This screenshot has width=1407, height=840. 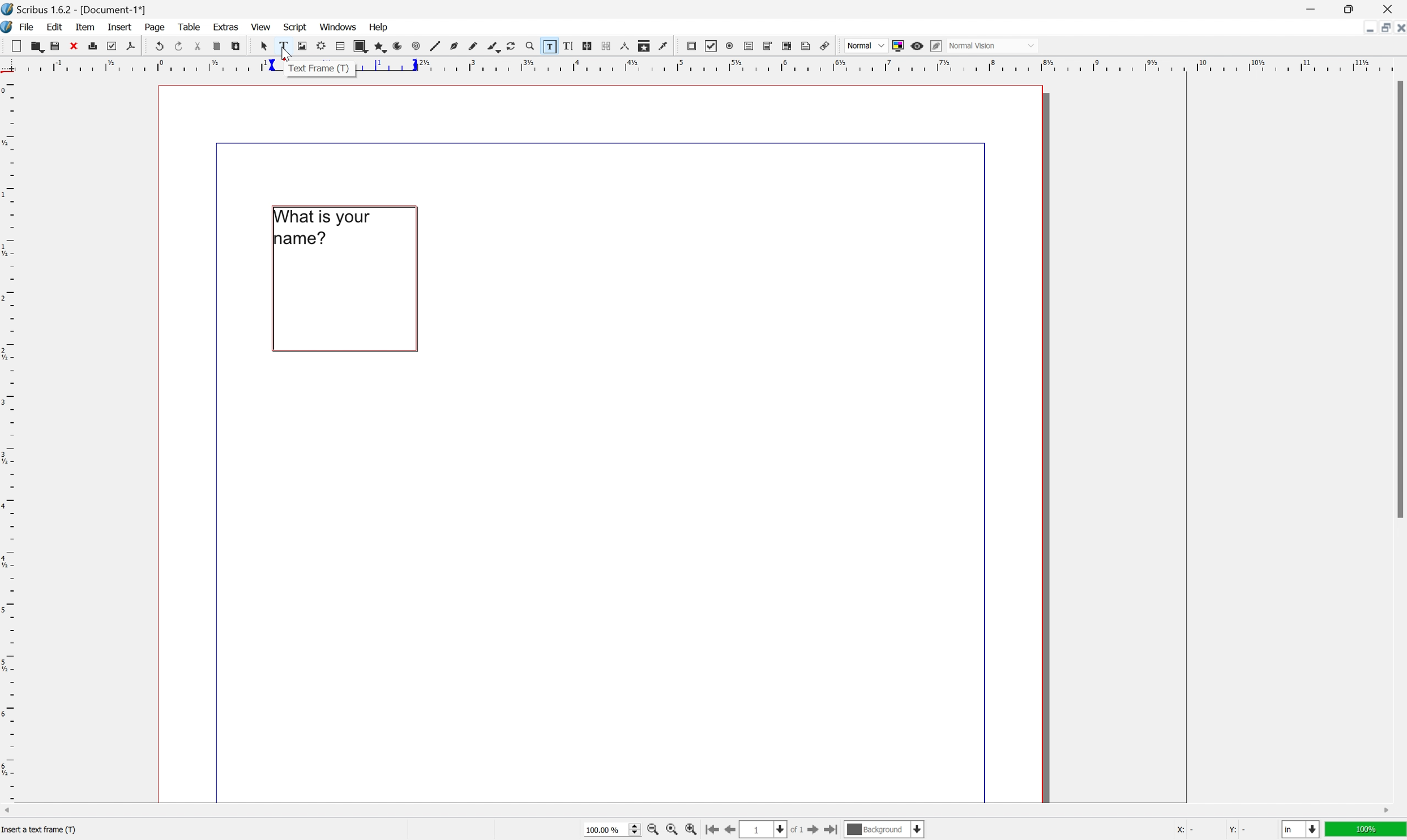 I want to click on shape, so click(x=360, y=46).